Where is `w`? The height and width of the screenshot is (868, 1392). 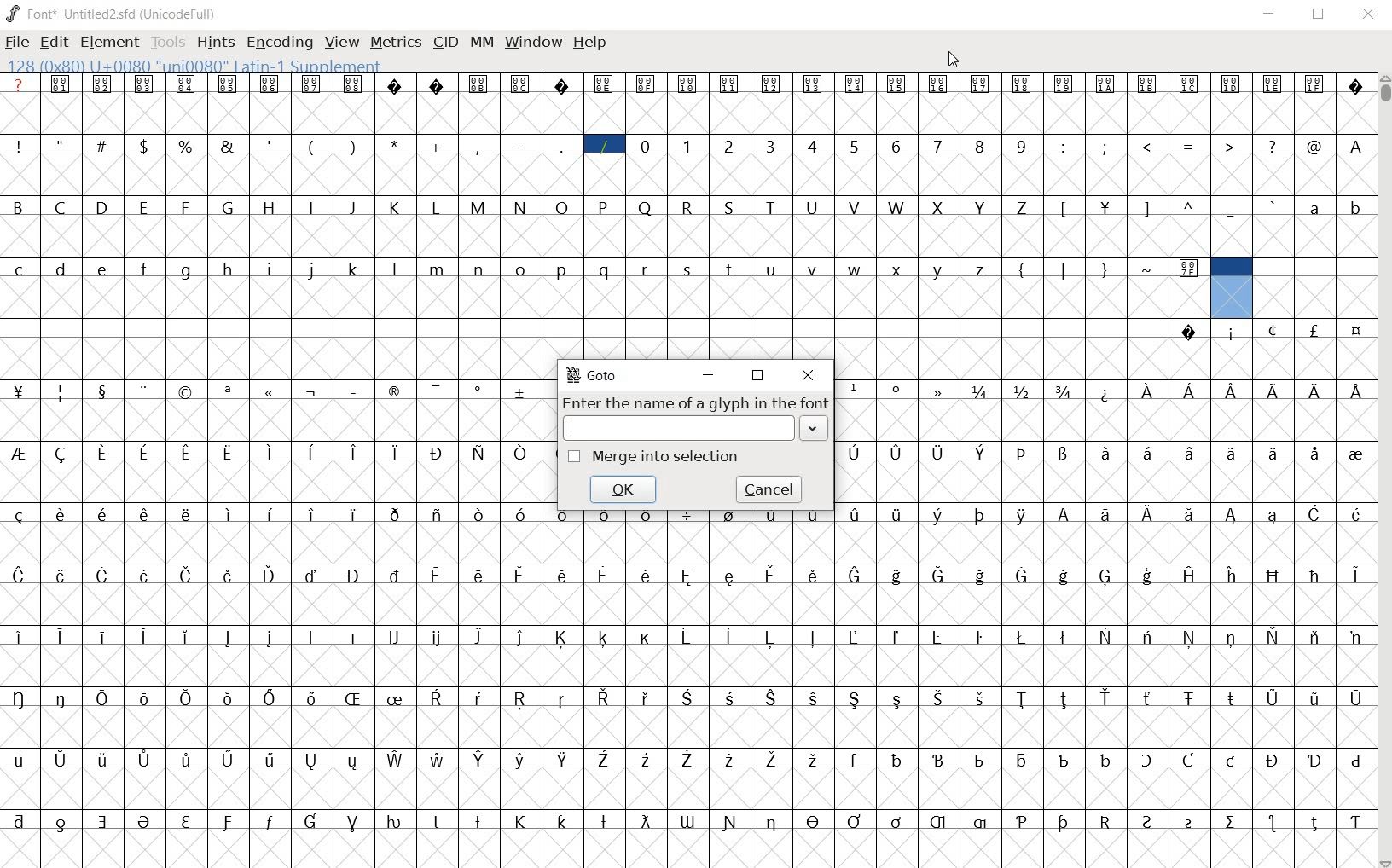
w is located at coordinates (855, 268).